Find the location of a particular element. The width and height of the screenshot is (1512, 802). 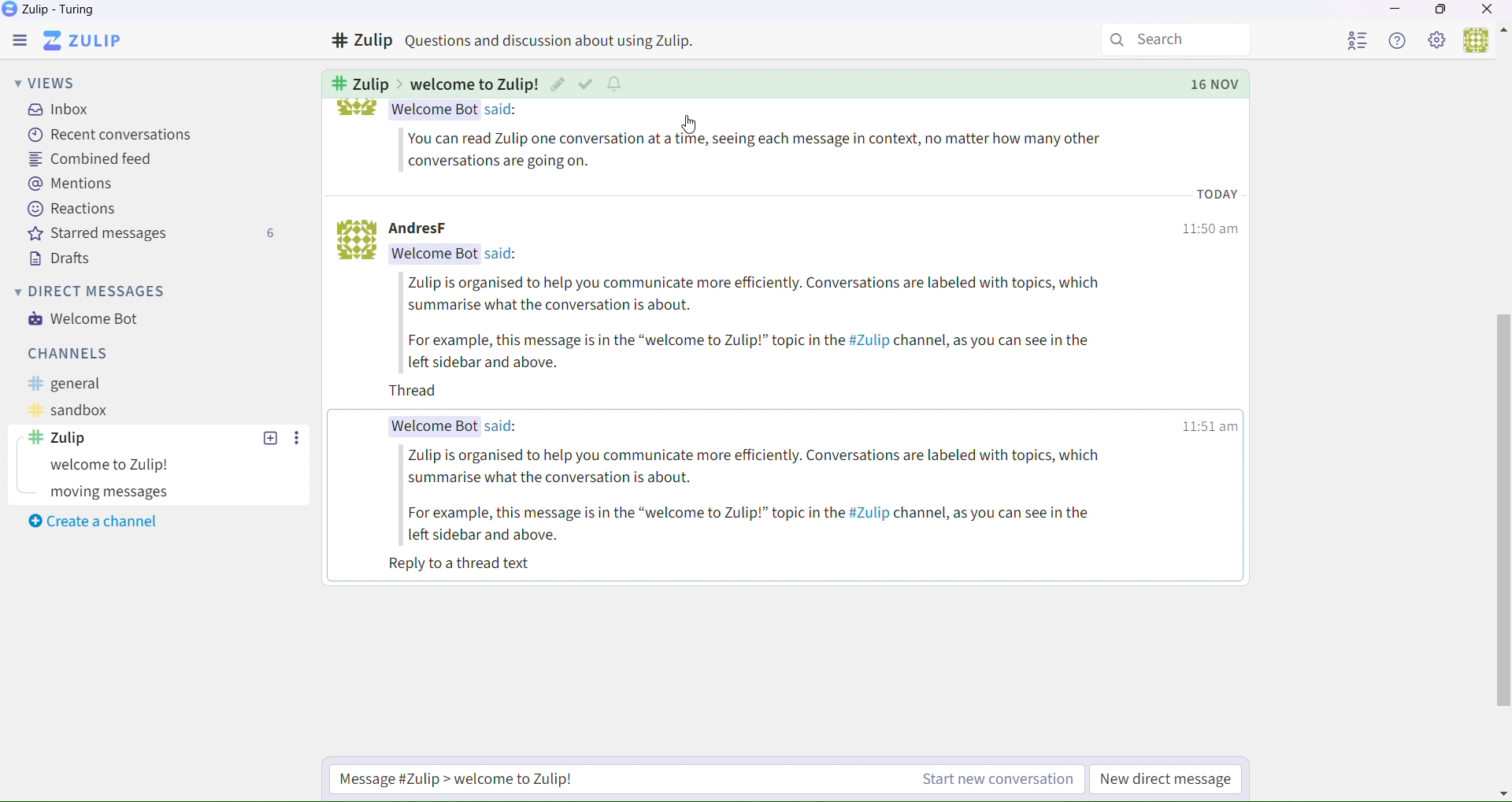

Welcome bot is located at coordinates (92, 322).